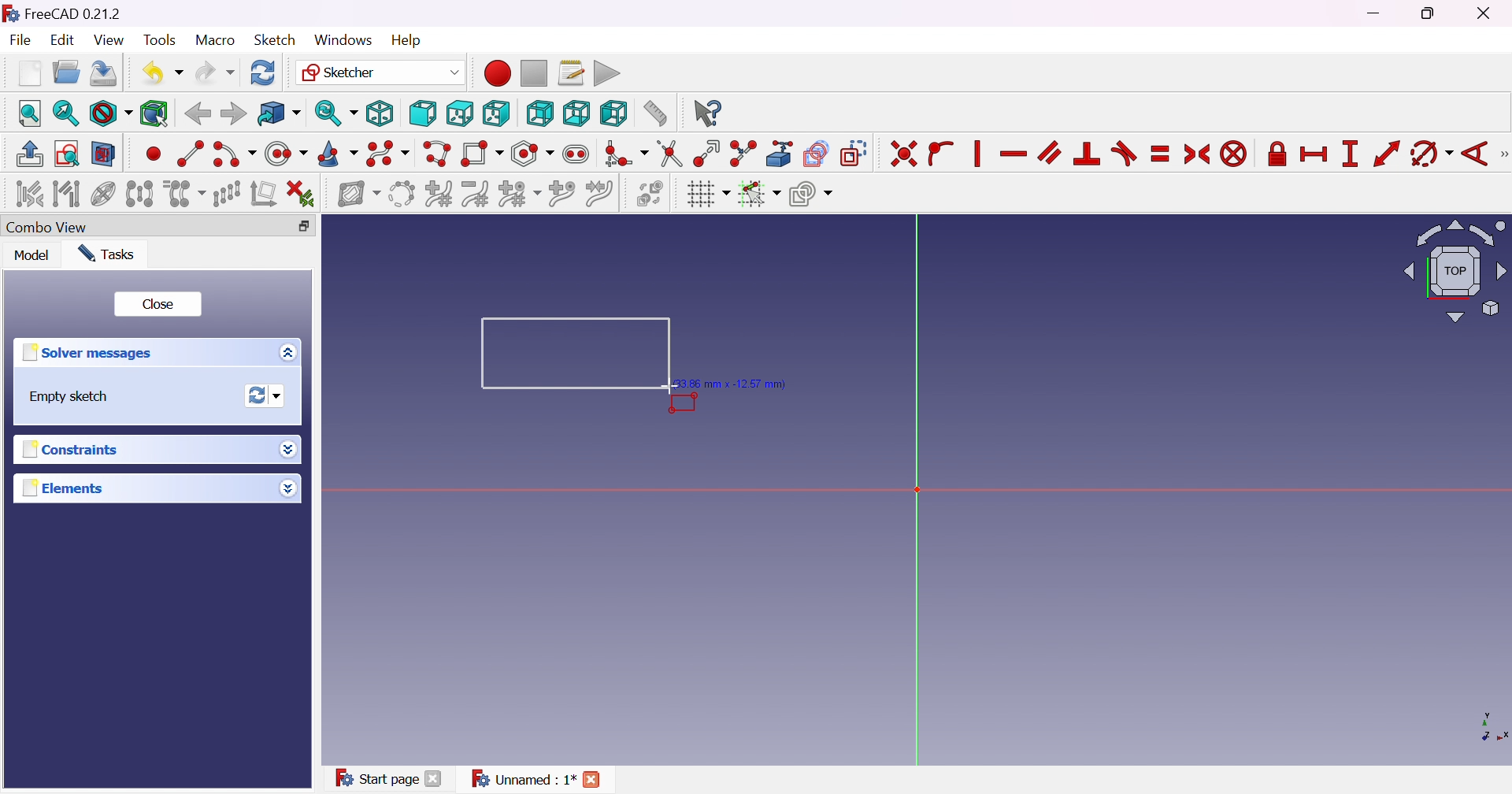 The height and width of the screenshot is (794, 1512). I want to click on Clone, so click(183, 193).